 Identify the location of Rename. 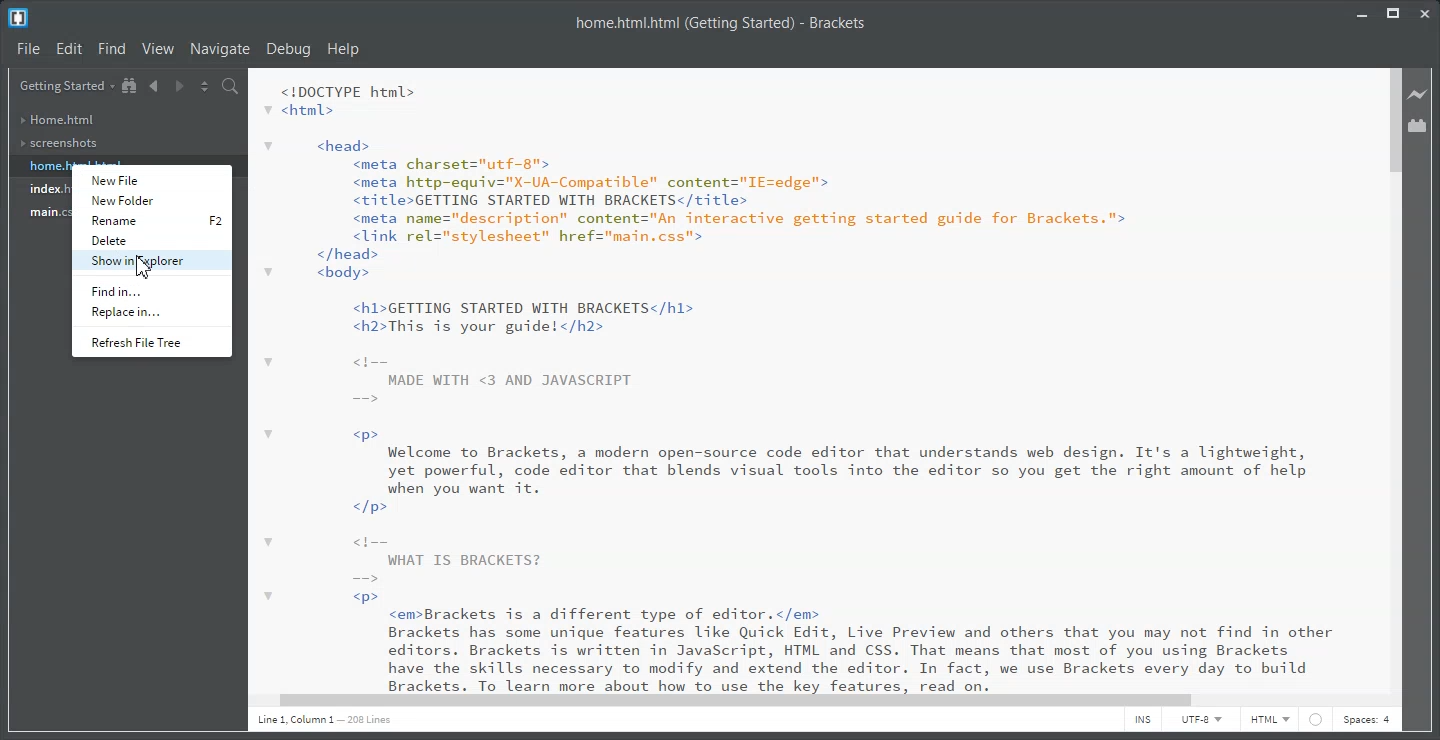
(150, 220).